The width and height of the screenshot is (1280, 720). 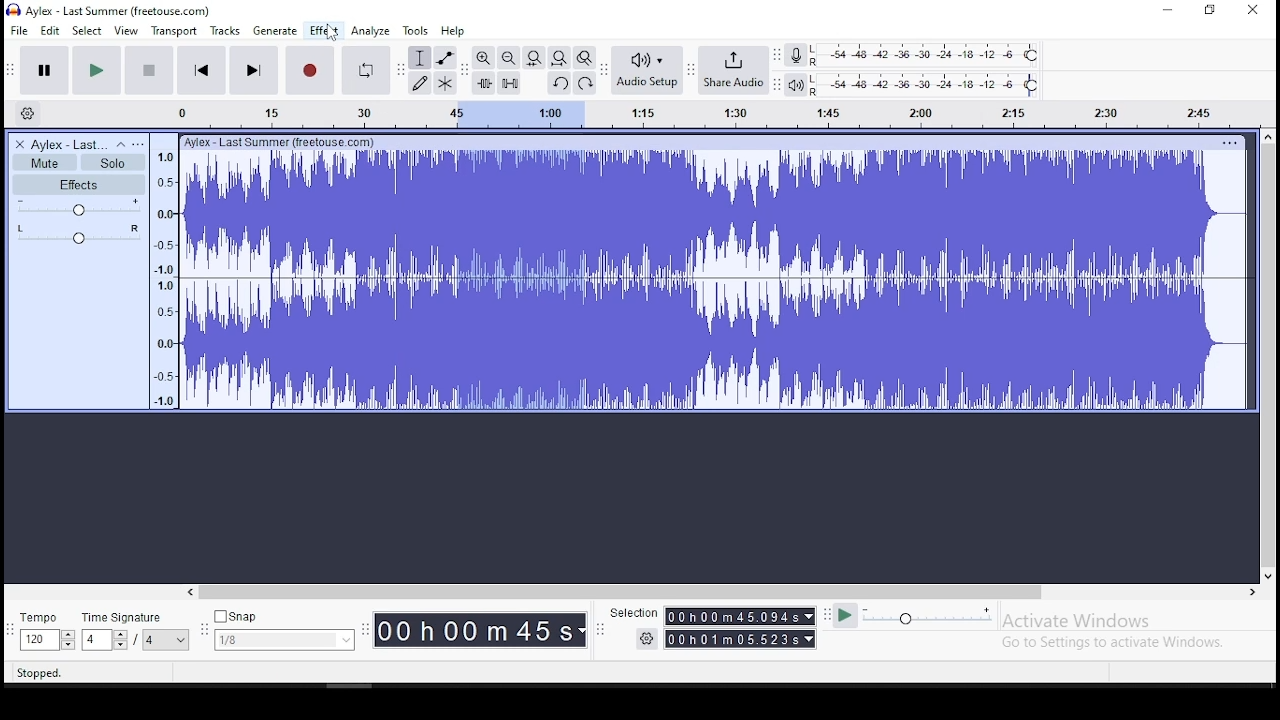 What do you see at coordinates (452, 31) in the screenshot?
I see `help` at bounding box center [452, 31].